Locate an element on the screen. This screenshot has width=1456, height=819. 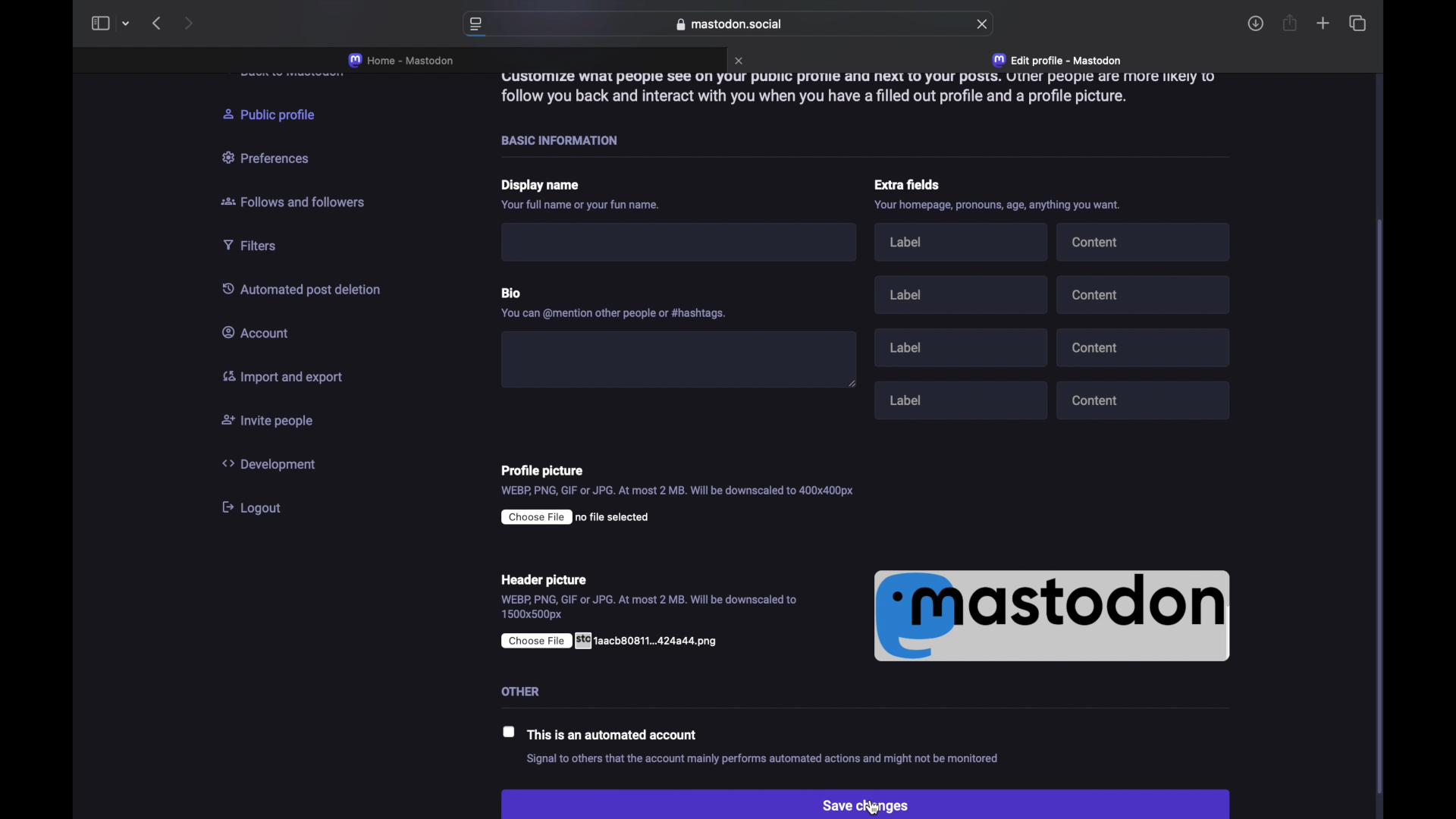
Extra fields is located at coordinates (910, 184).